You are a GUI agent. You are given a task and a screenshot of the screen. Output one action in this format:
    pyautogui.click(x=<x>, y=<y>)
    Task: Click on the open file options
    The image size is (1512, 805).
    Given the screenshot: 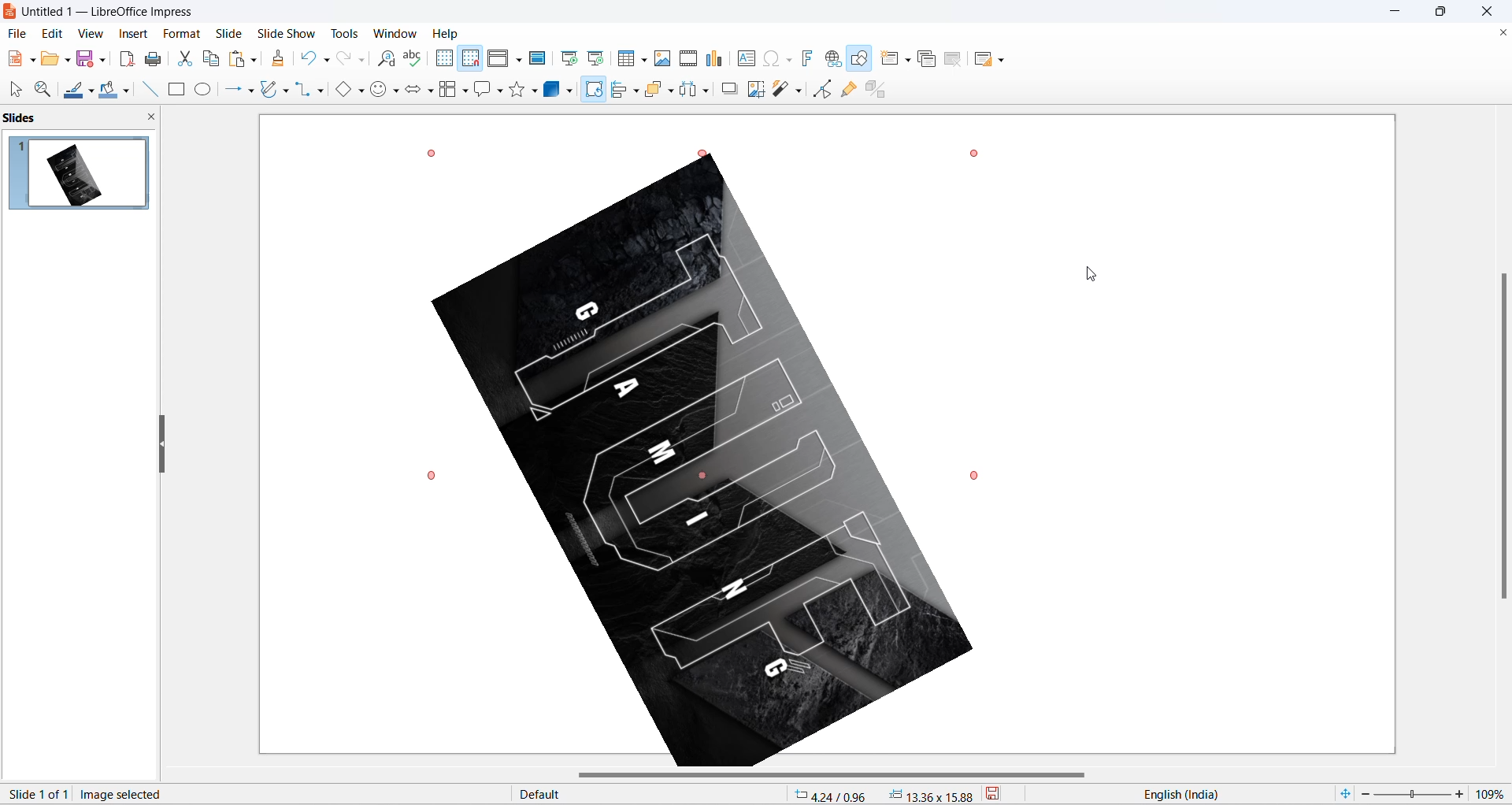 What is the action you would take?
    pyautogui.click(x=68, y=62)
    